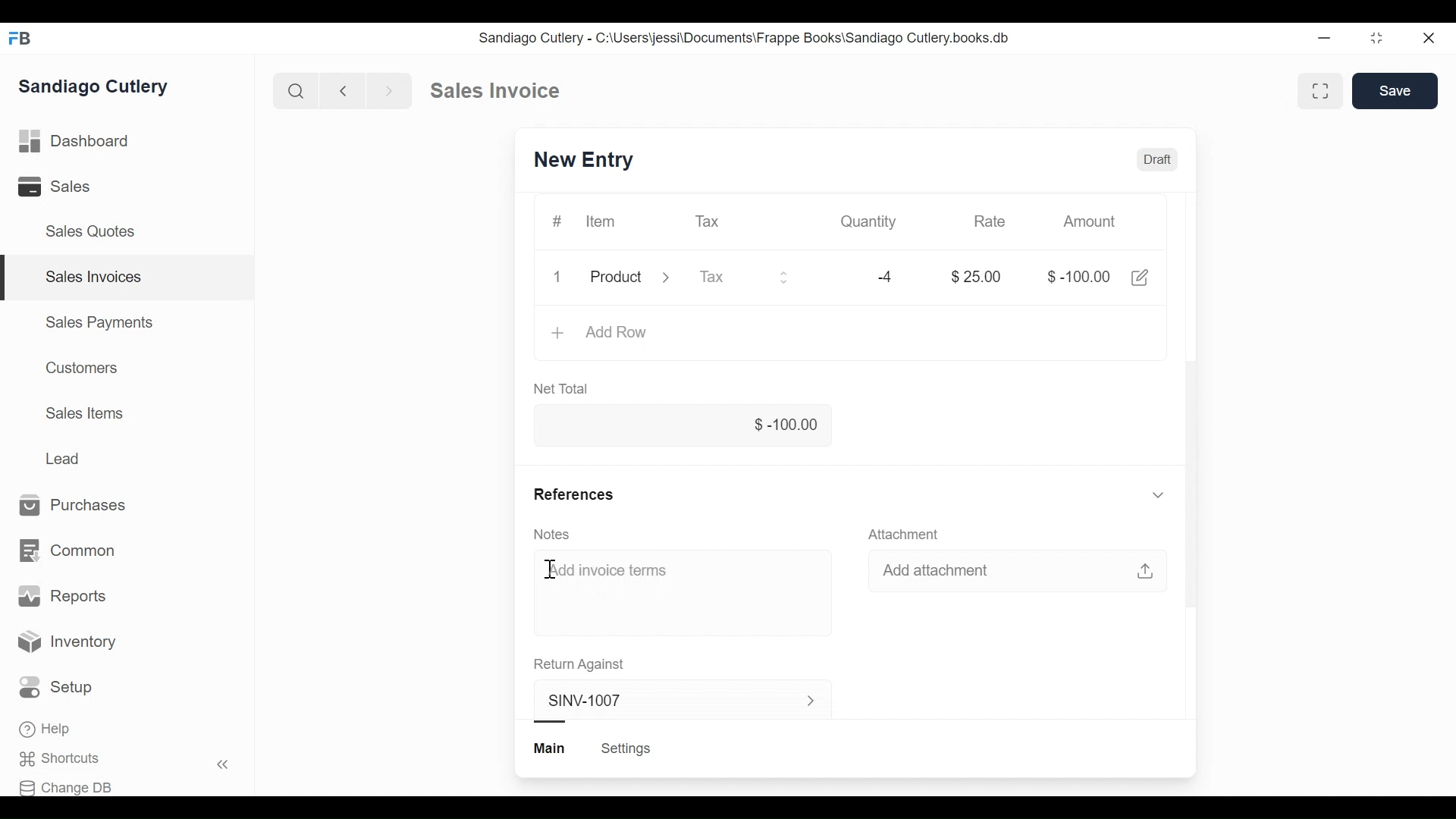 This screenshot has height=819, width=1456. I want to click on FB, so click(23, 39).